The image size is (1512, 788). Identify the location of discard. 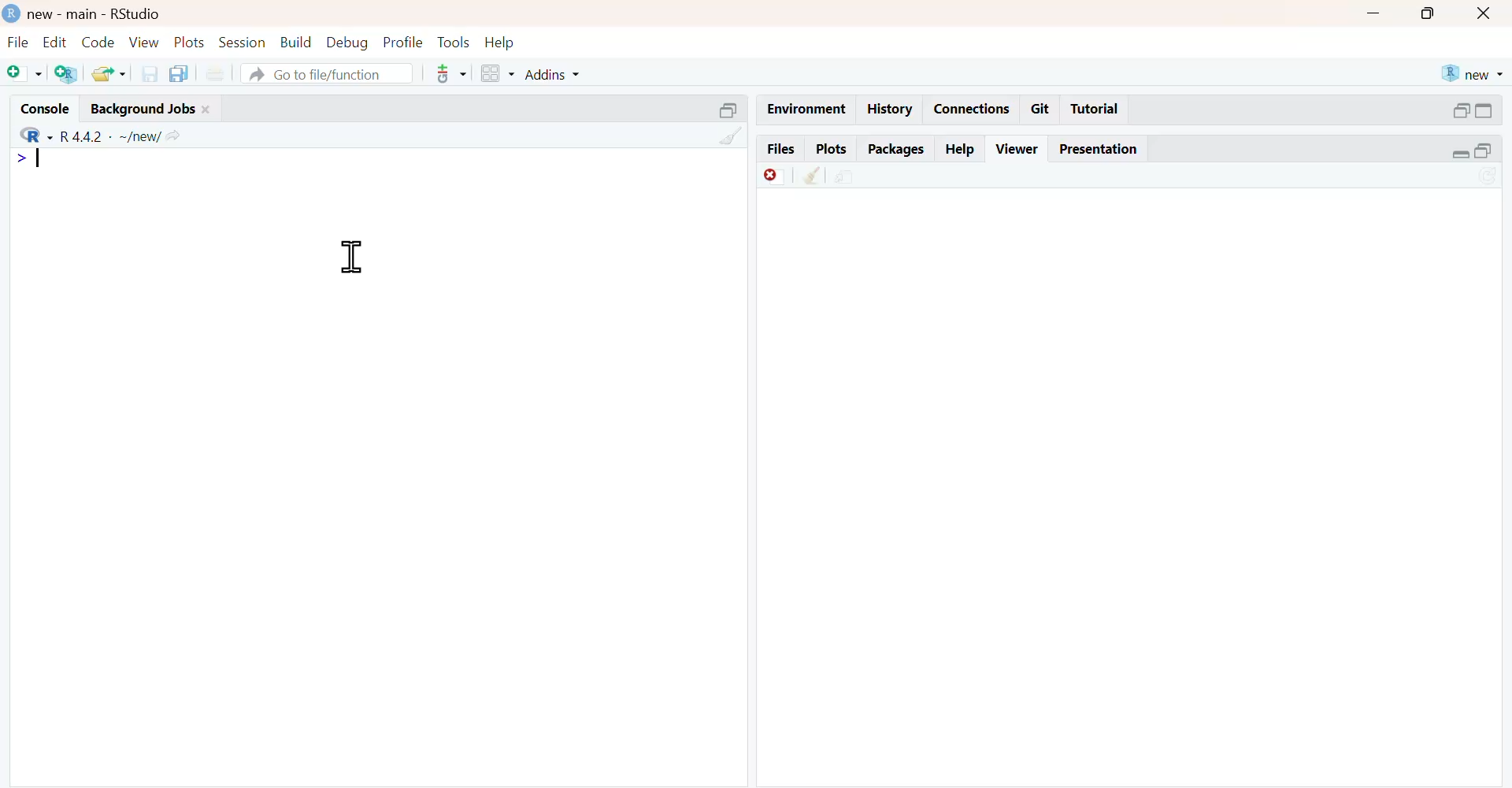
(775, 177).